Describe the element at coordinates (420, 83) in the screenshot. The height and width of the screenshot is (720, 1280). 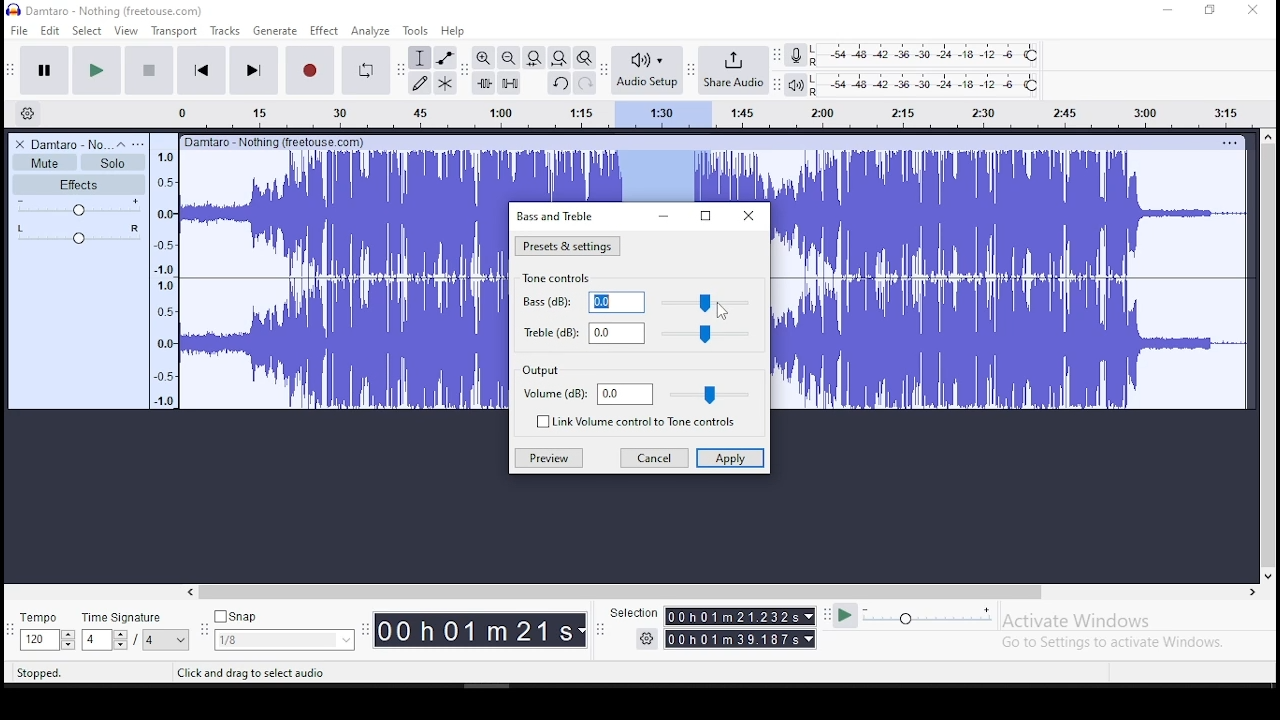
I see `draw tool` at that location.